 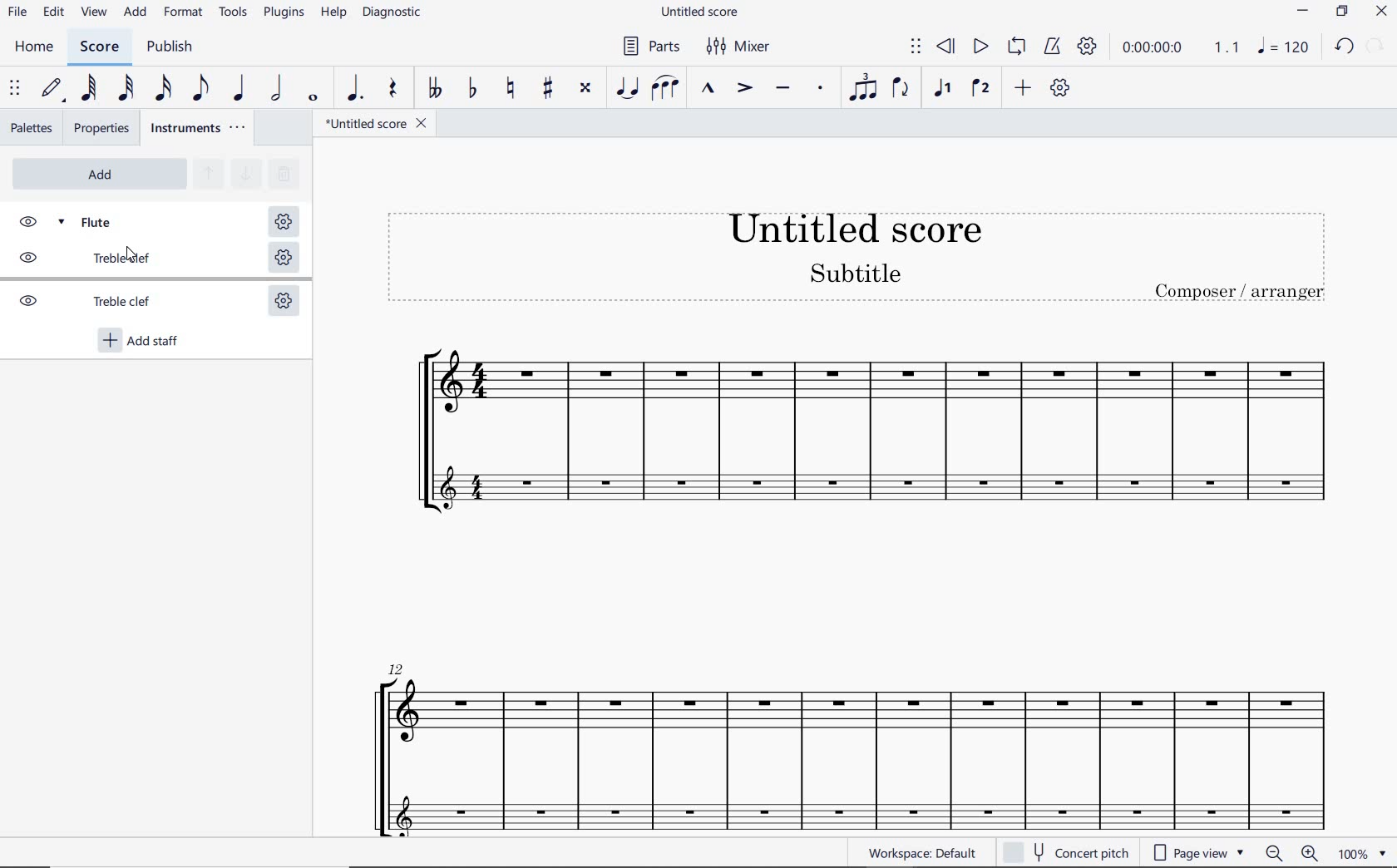 What do you see at coordinates (375, 124) in the screenshot?
I see `file name` at bounding box center [375, 124].